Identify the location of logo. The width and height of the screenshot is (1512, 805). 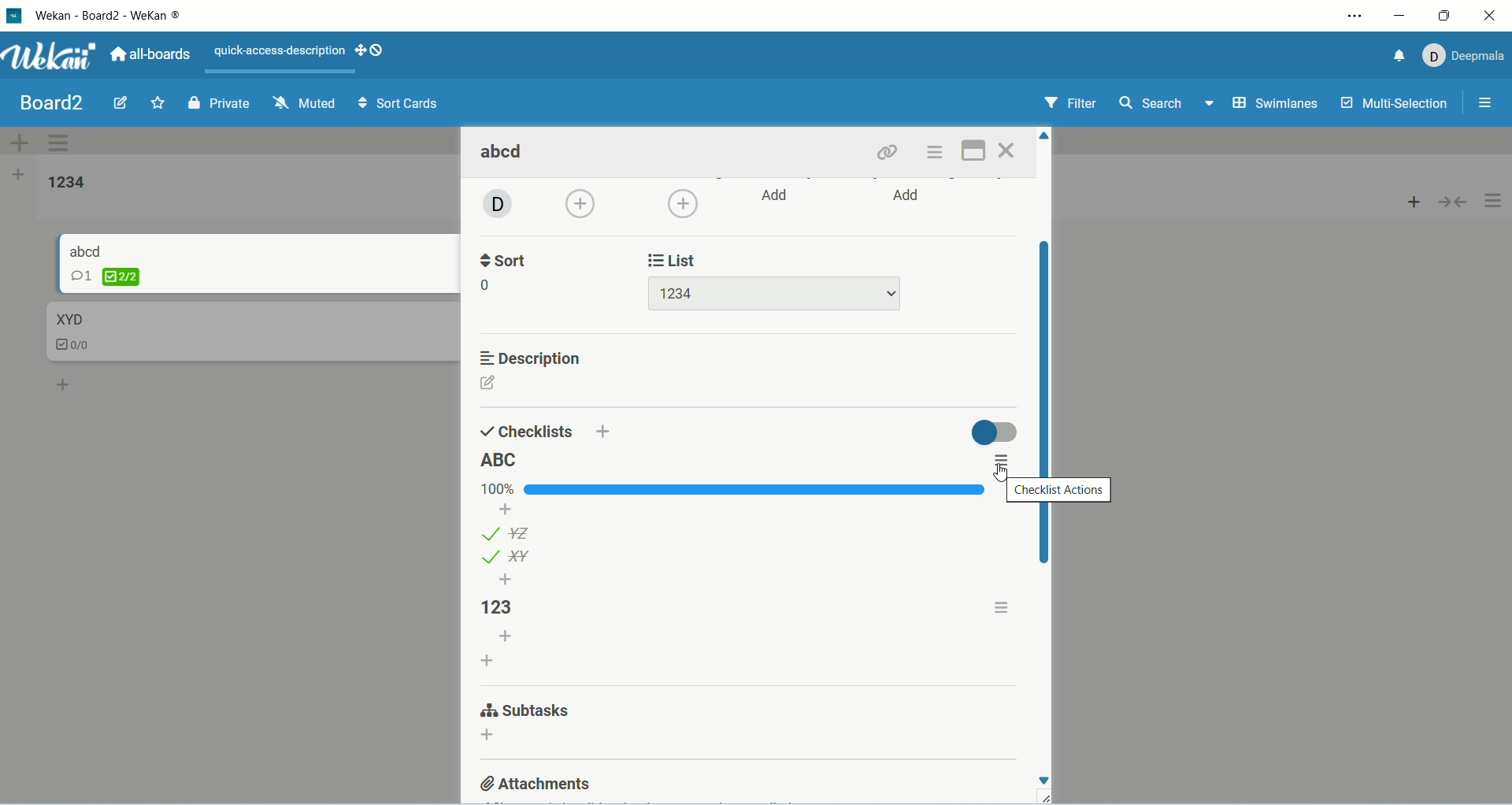
(13, 17).